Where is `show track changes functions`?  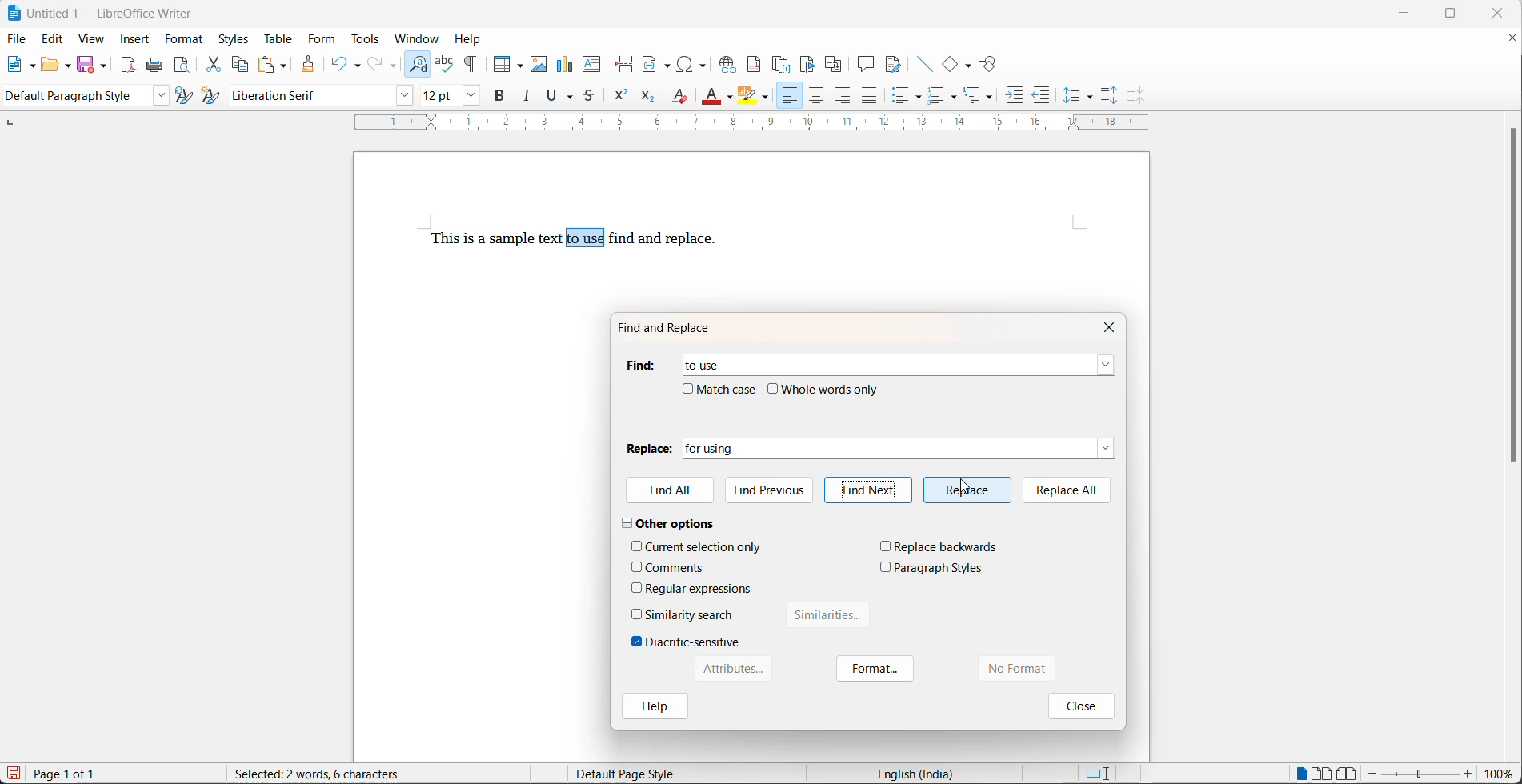
show track changes functions is located at coordinates (893, 64).